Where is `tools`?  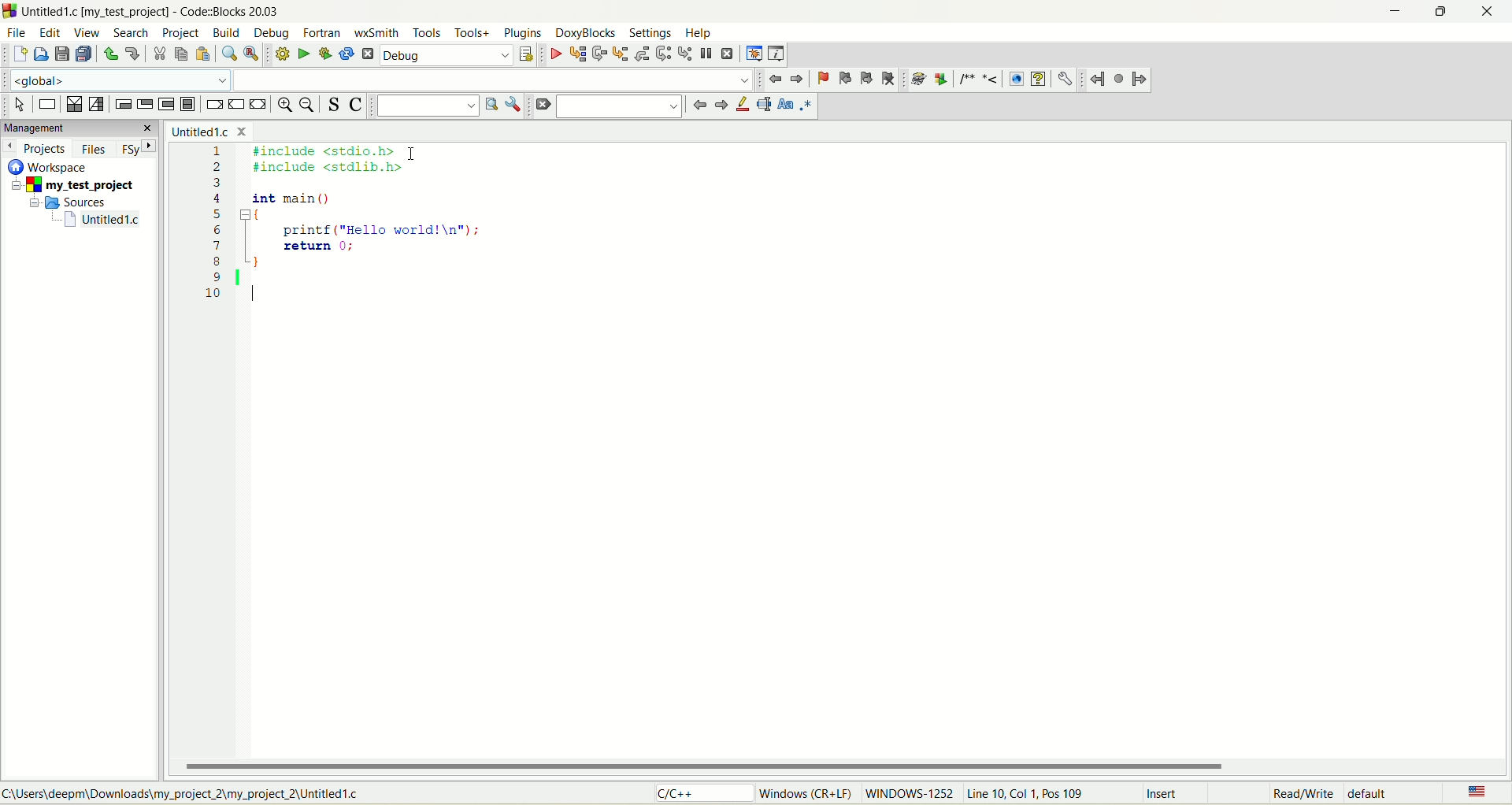
tools is located at coordinates (472, 33).